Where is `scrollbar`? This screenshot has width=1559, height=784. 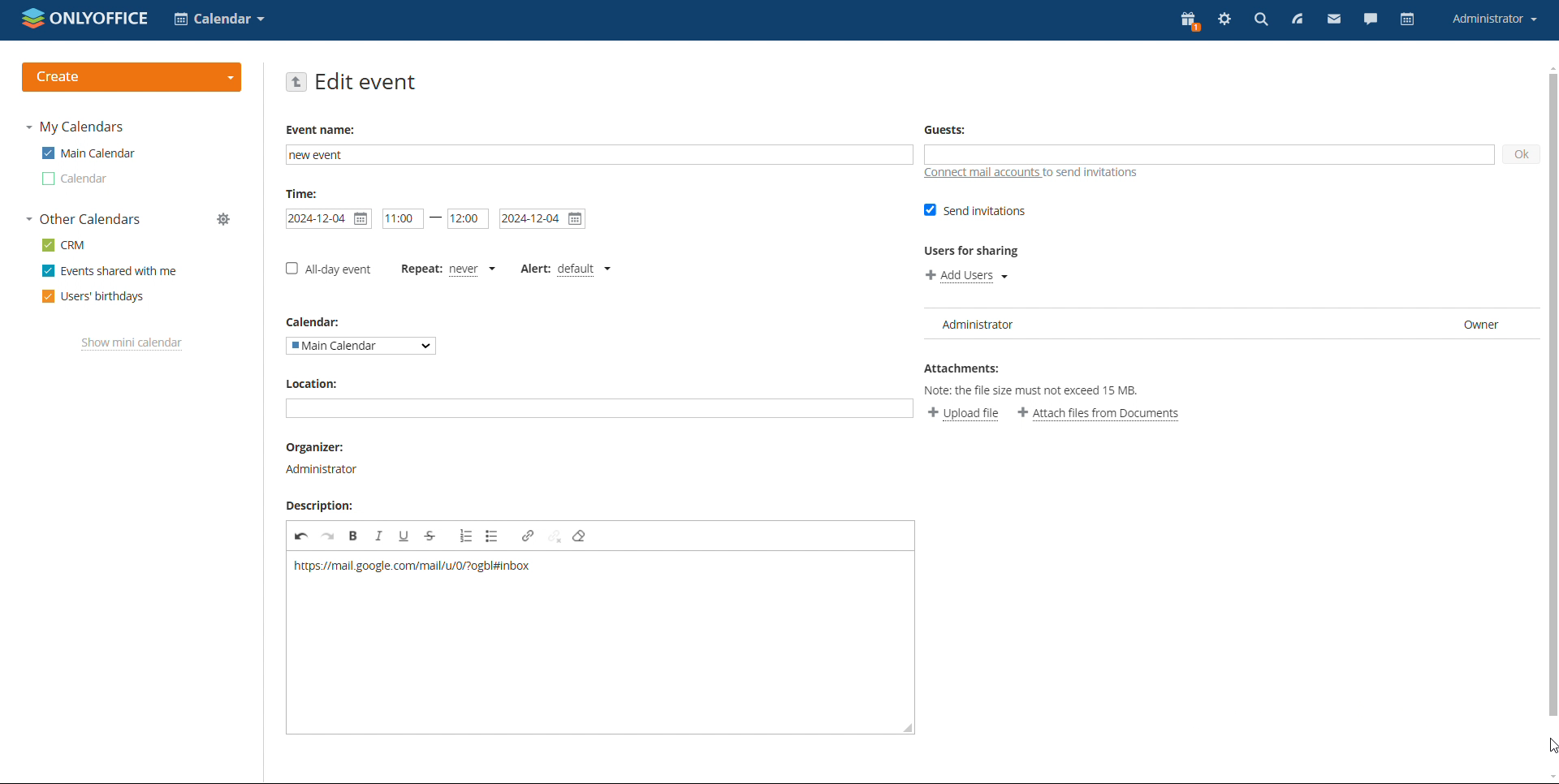
scrollbar is located at coordinates (1561, 400).